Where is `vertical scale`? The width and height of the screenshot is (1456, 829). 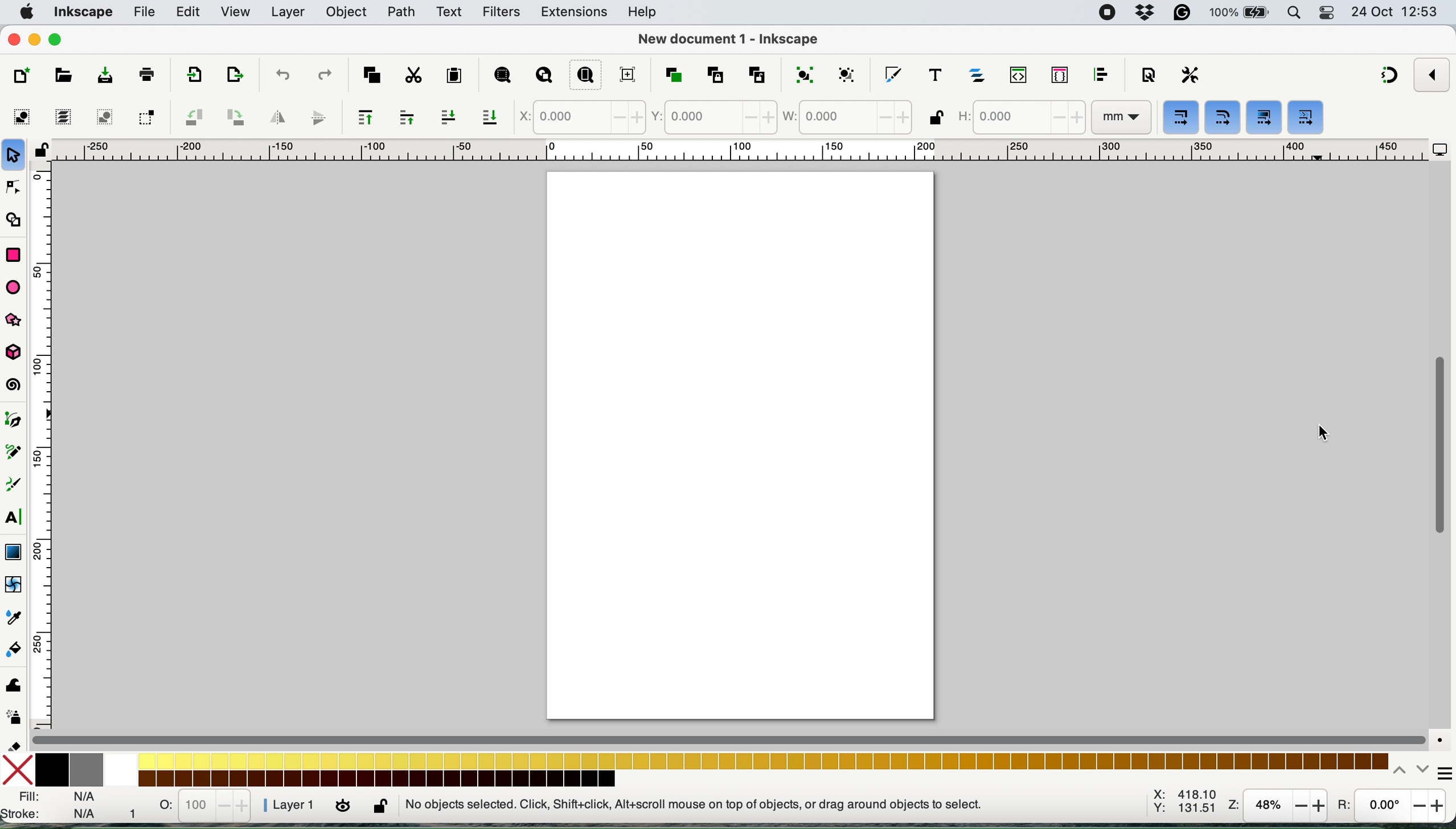
vertical scale is located at coordinates (44, 445).